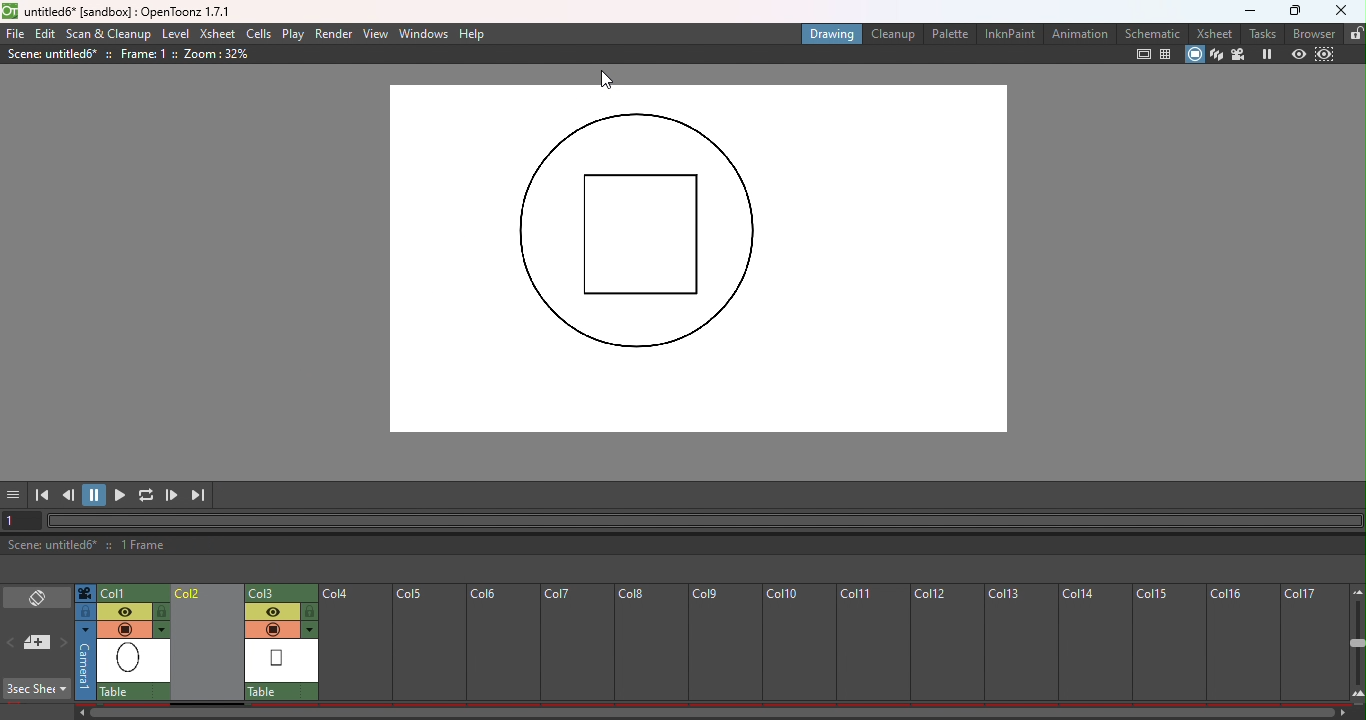  What do you see at coordinates (85, 612) in the screenshot?
I see `Click to select camera` at bounding box center [85, 612].